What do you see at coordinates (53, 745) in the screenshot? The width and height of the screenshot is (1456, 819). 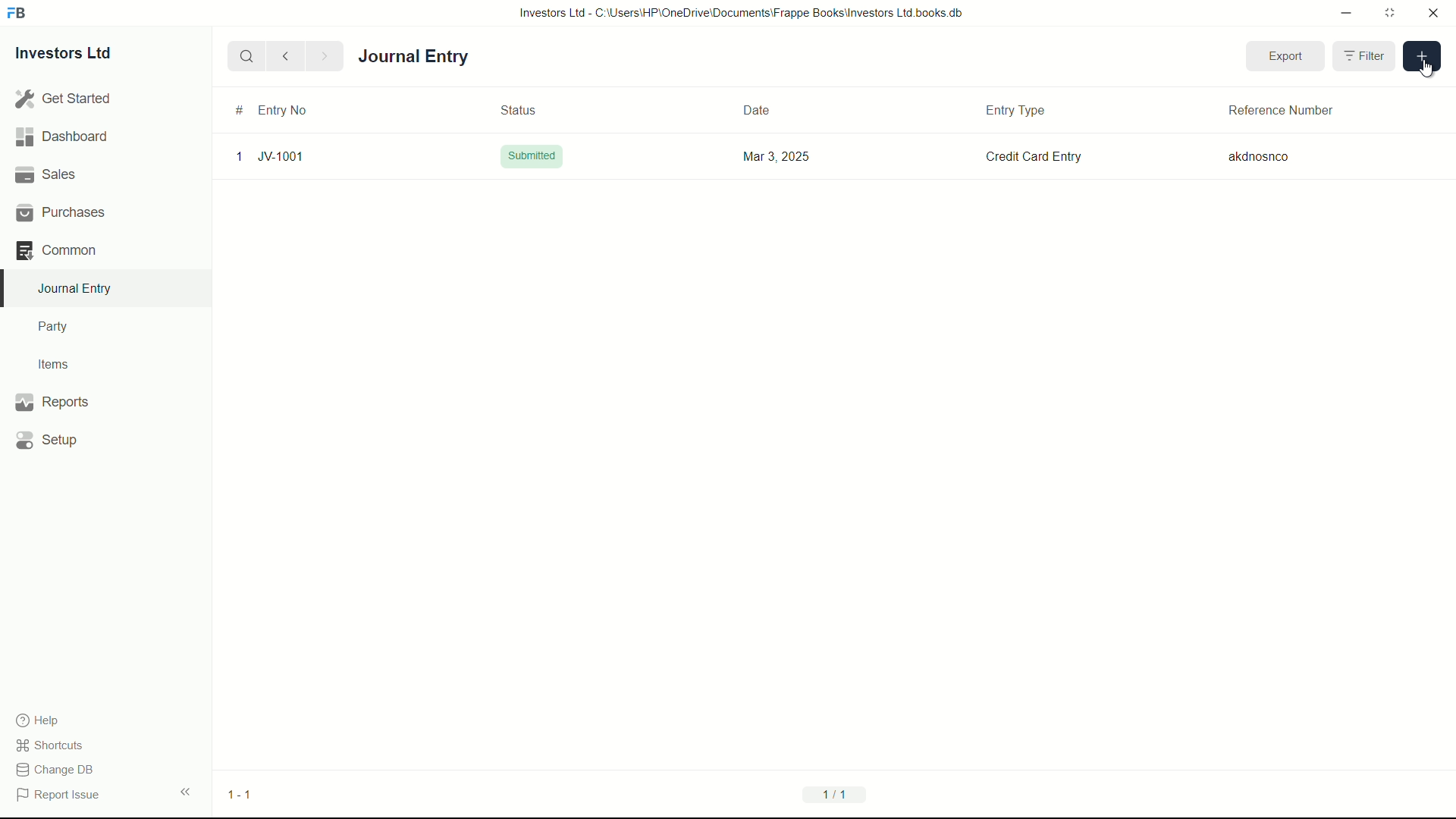 I see `shortcuts` at bounding box center [53, 745].